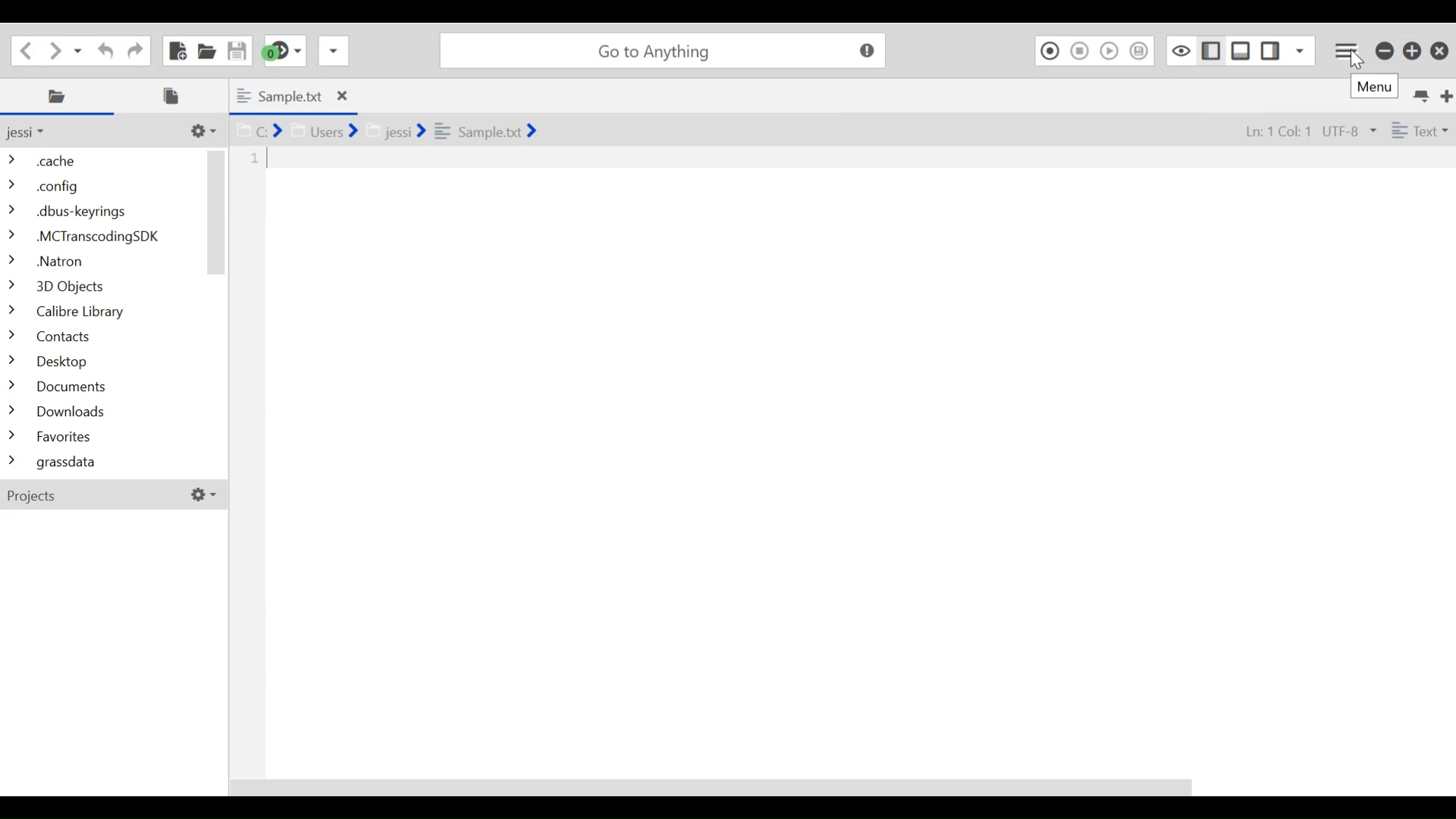 The height and width of the screenshot is (819, 1456). What do you see at coordinates (1179, 50) in the screenshot?
I see `Toggle focus mode` at bounding box center [1179, 50].